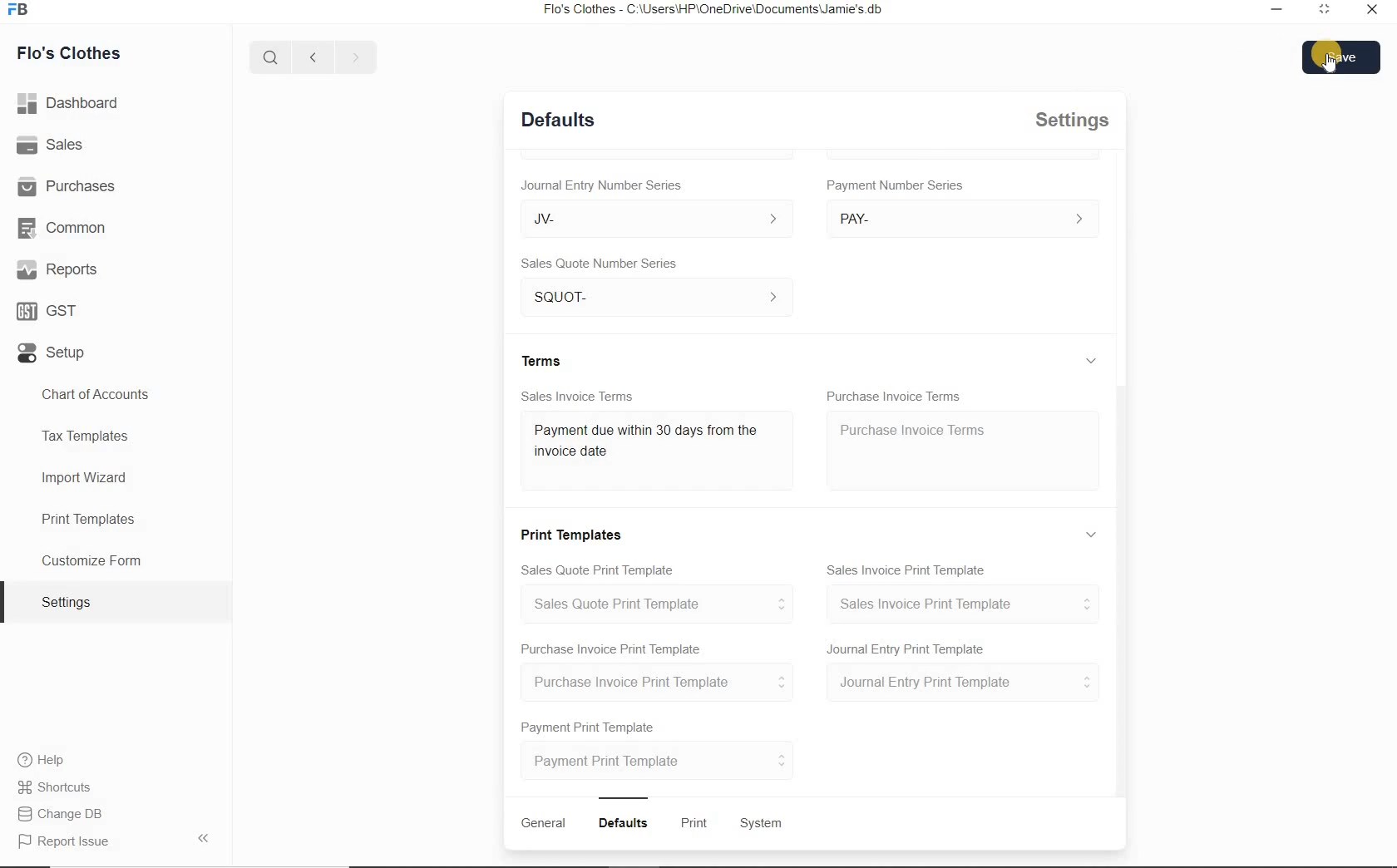 The height and width of the screenshot is (868, 1397). Describe the element at coordinates (711, 9) in the screenshot. I see `Flo's Clothes - C:\Users\HP'\OneDrive\Documents\Jamie's.db` at that location.